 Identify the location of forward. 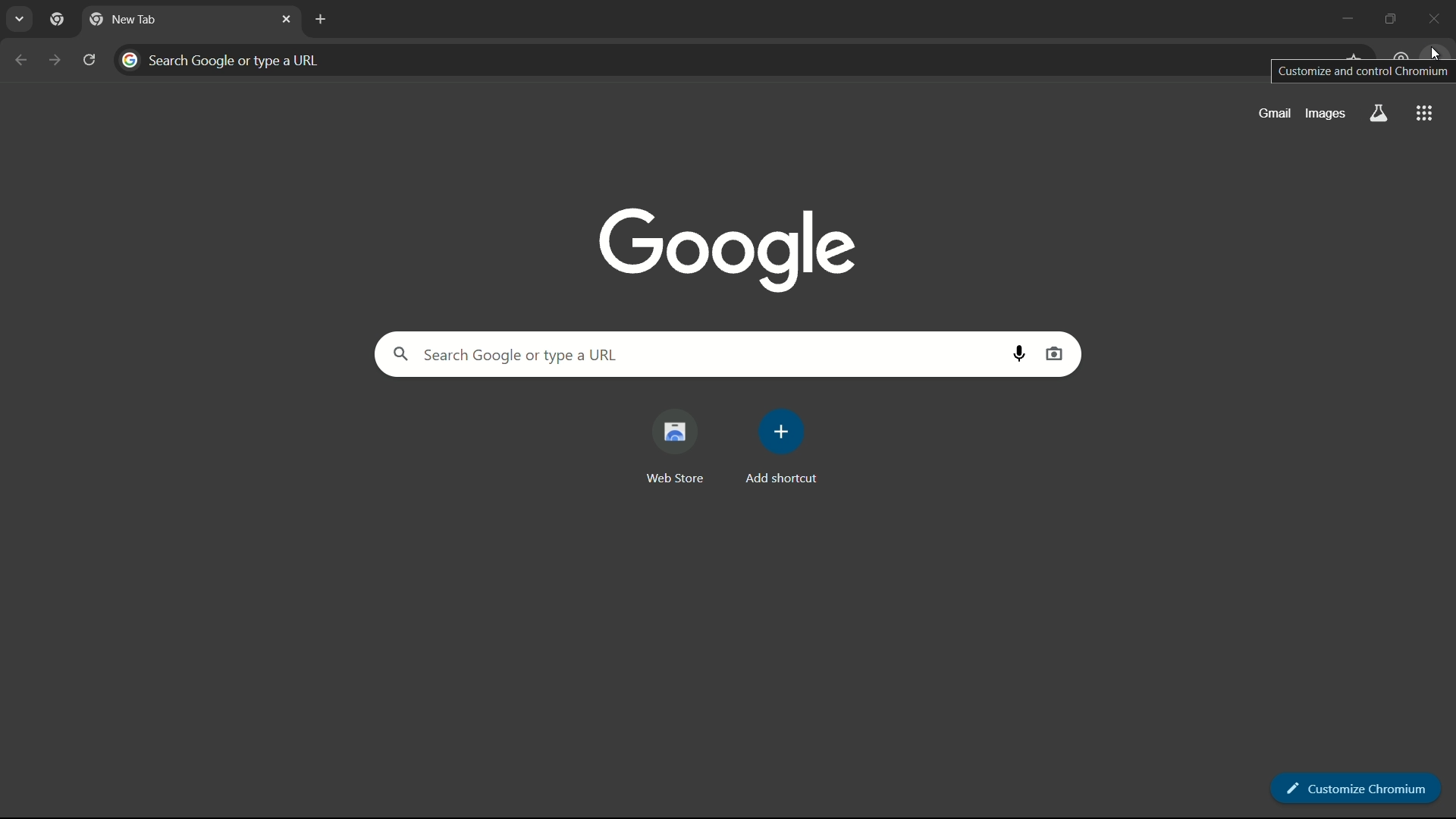
(53, 60).